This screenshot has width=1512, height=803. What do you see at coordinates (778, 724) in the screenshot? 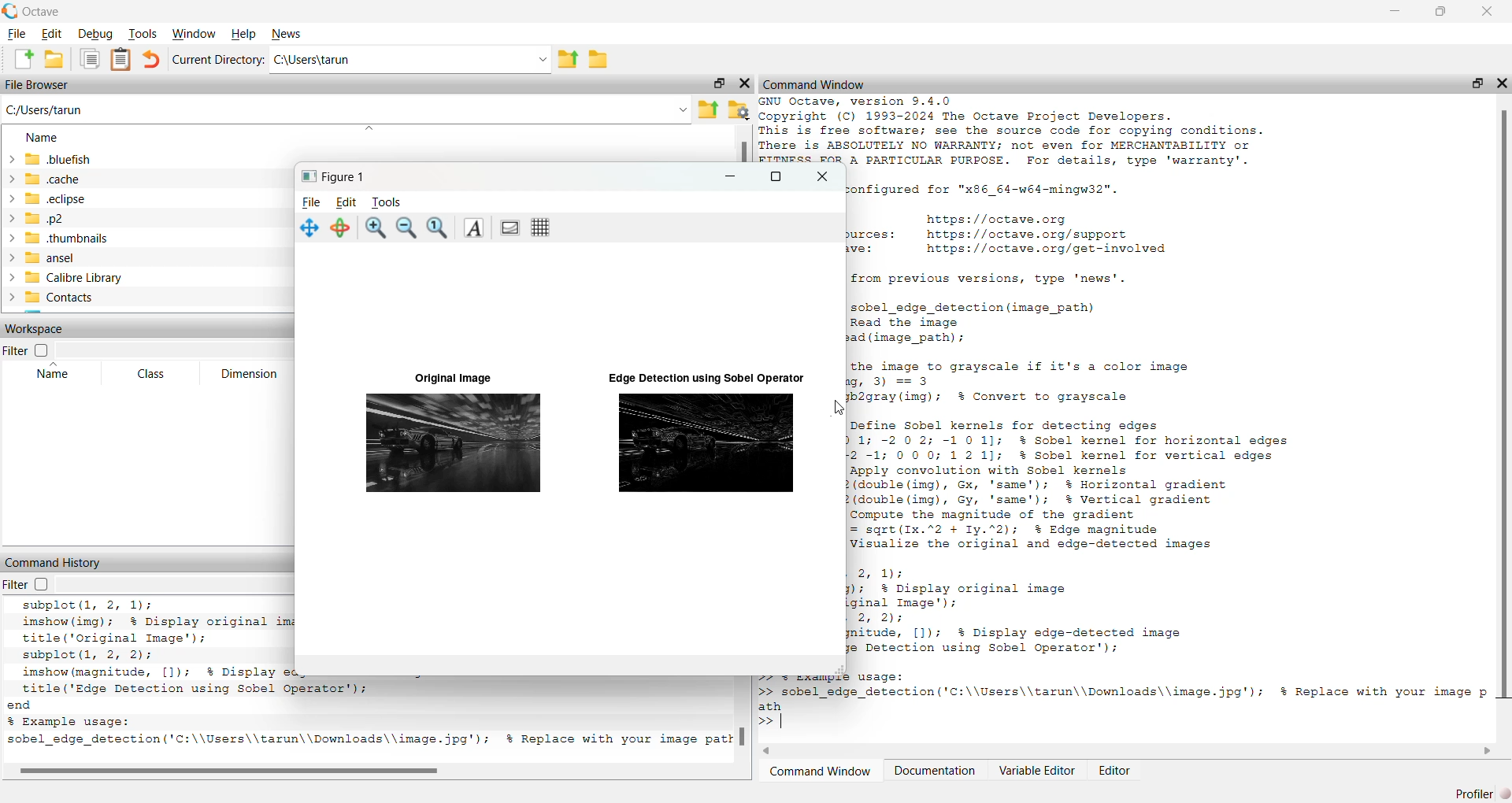
I see `typing cursor` at bounding box center [778, 724].